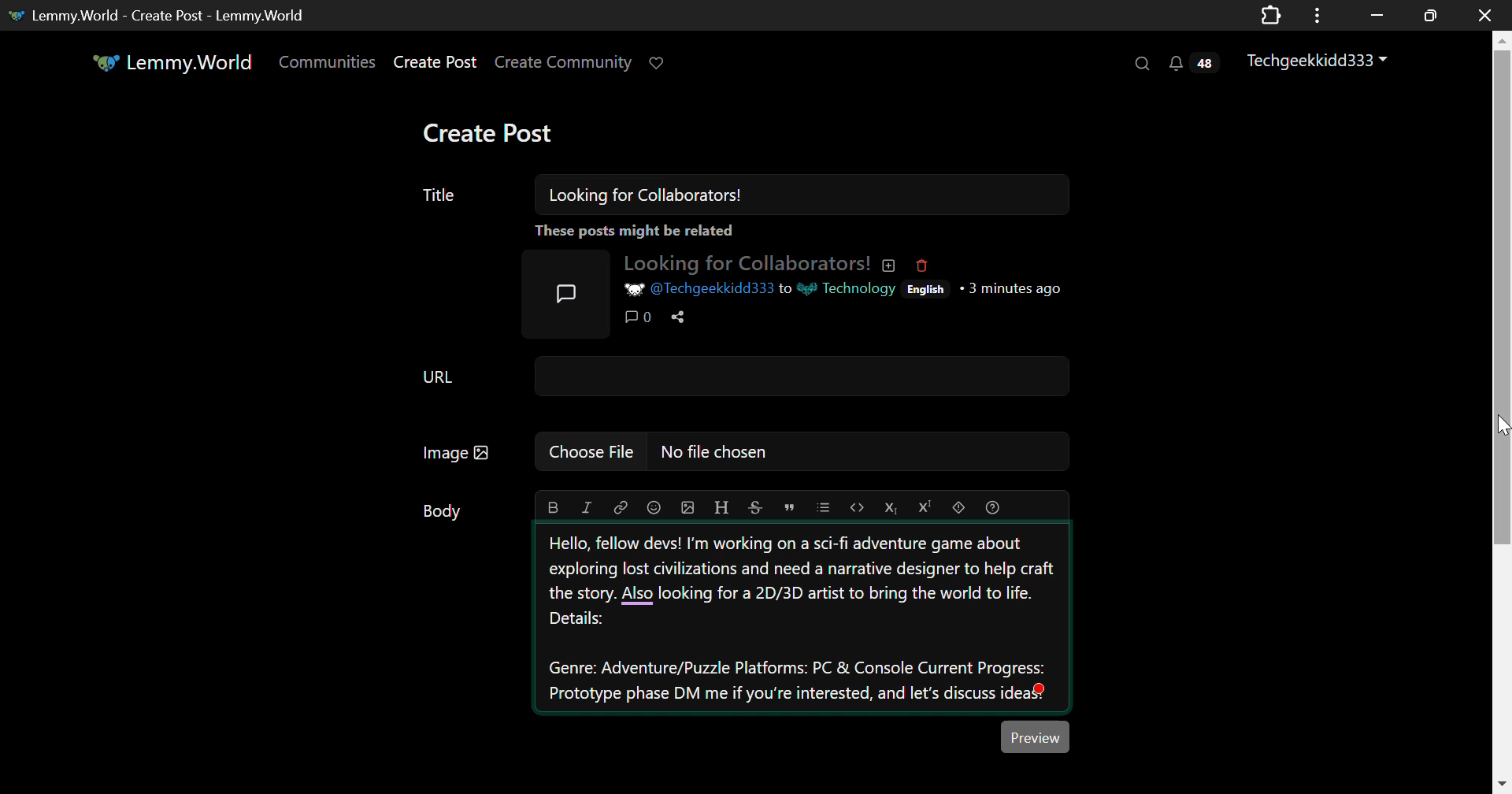  Describe the element at coordinates (587, 508) in the screenshot. I see `italic` at that location.